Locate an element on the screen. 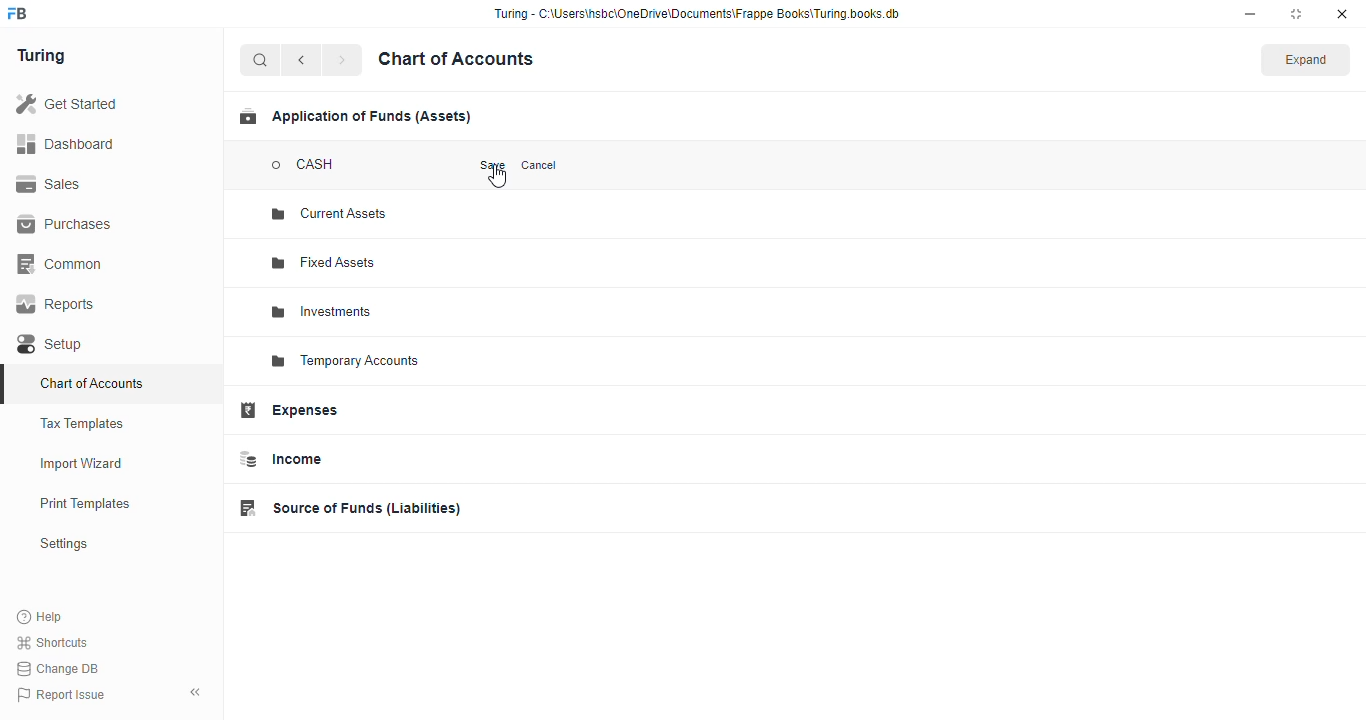  shortcuts is located at coordinates (53, 642).